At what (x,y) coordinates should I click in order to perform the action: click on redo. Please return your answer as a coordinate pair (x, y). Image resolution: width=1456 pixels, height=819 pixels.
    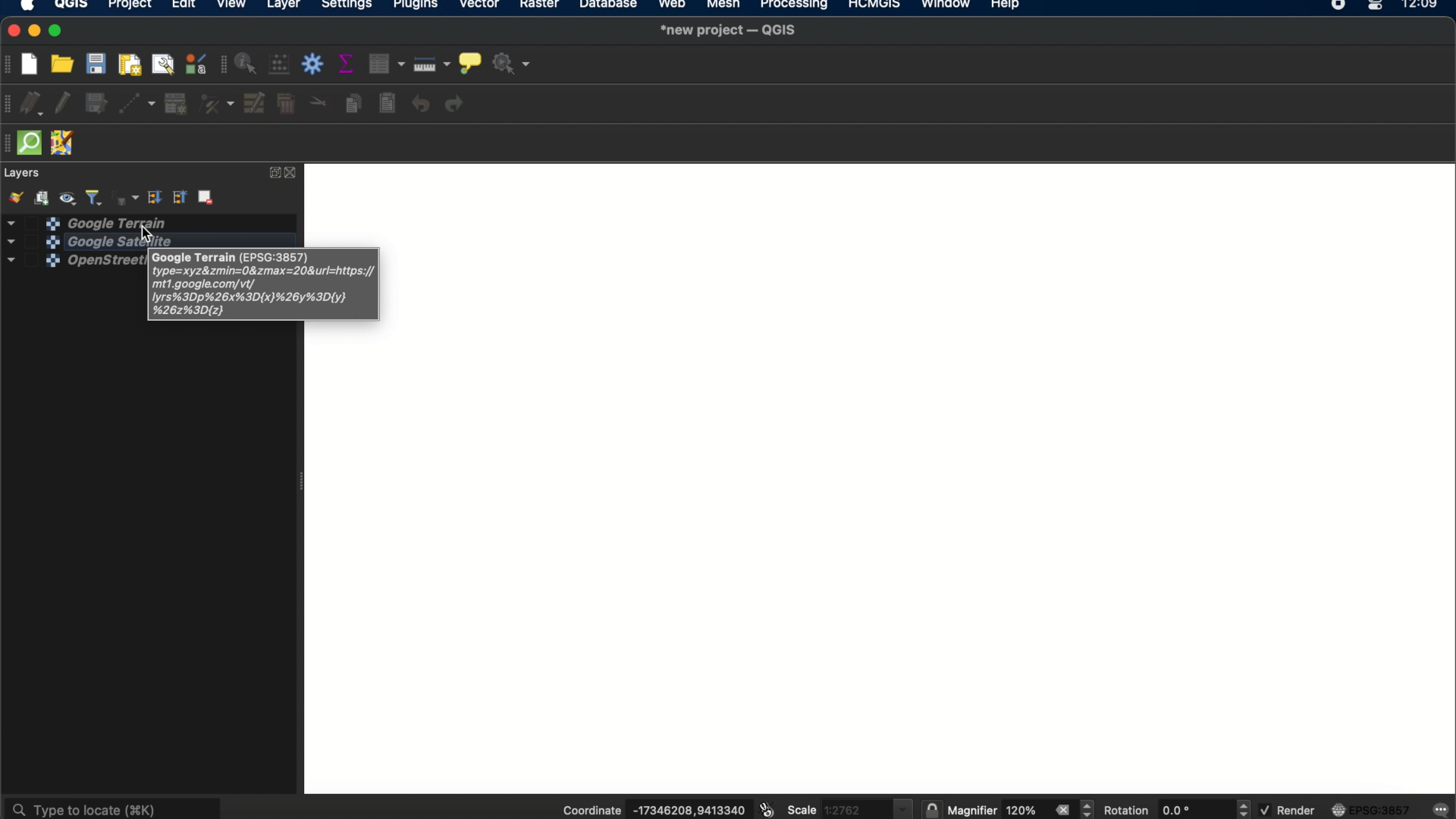
    Looking at the image, I should click on (458, 105).